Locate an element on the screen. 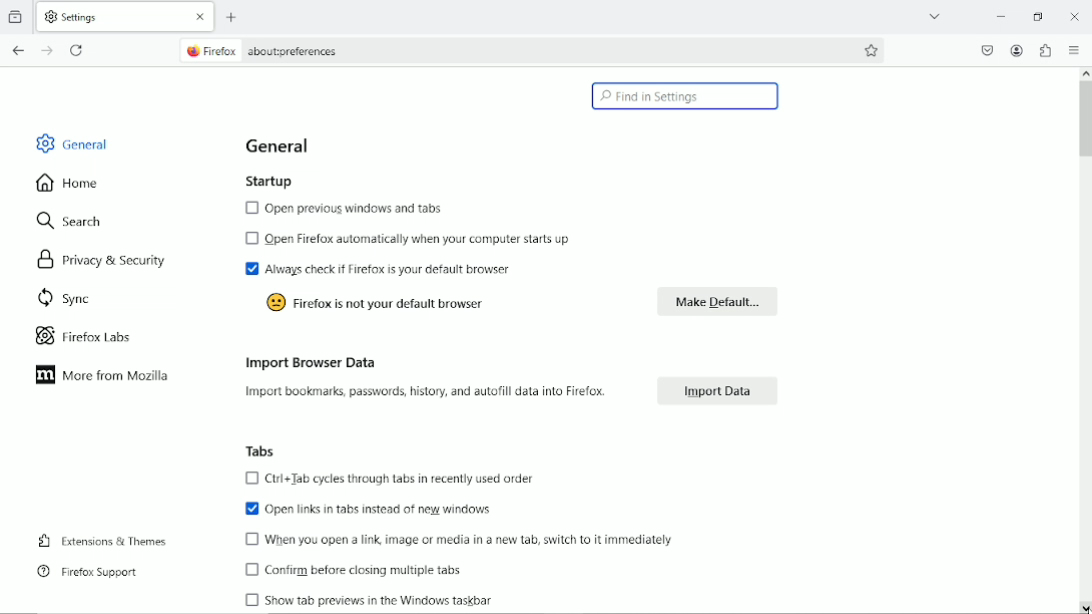 The height and width of the screenshot is (614, 1092). scroll up is located at coordinates (1085, 73).